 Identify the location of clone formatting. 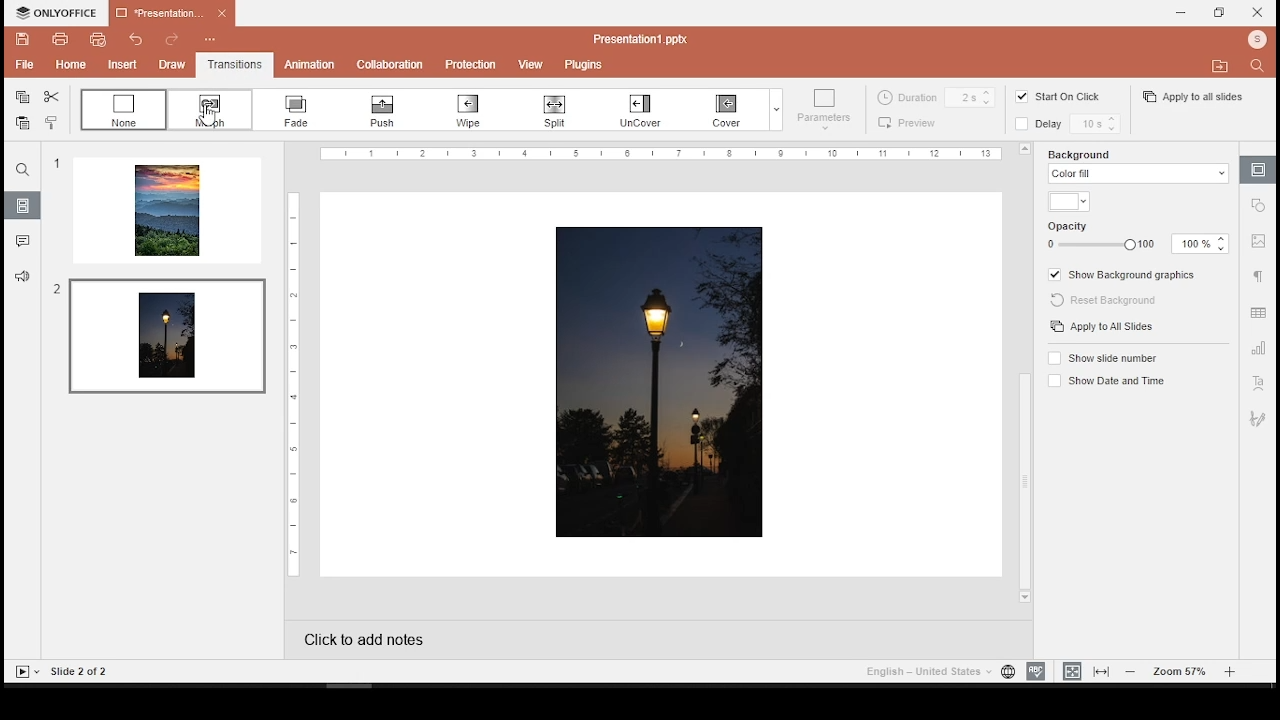
(50, 123).